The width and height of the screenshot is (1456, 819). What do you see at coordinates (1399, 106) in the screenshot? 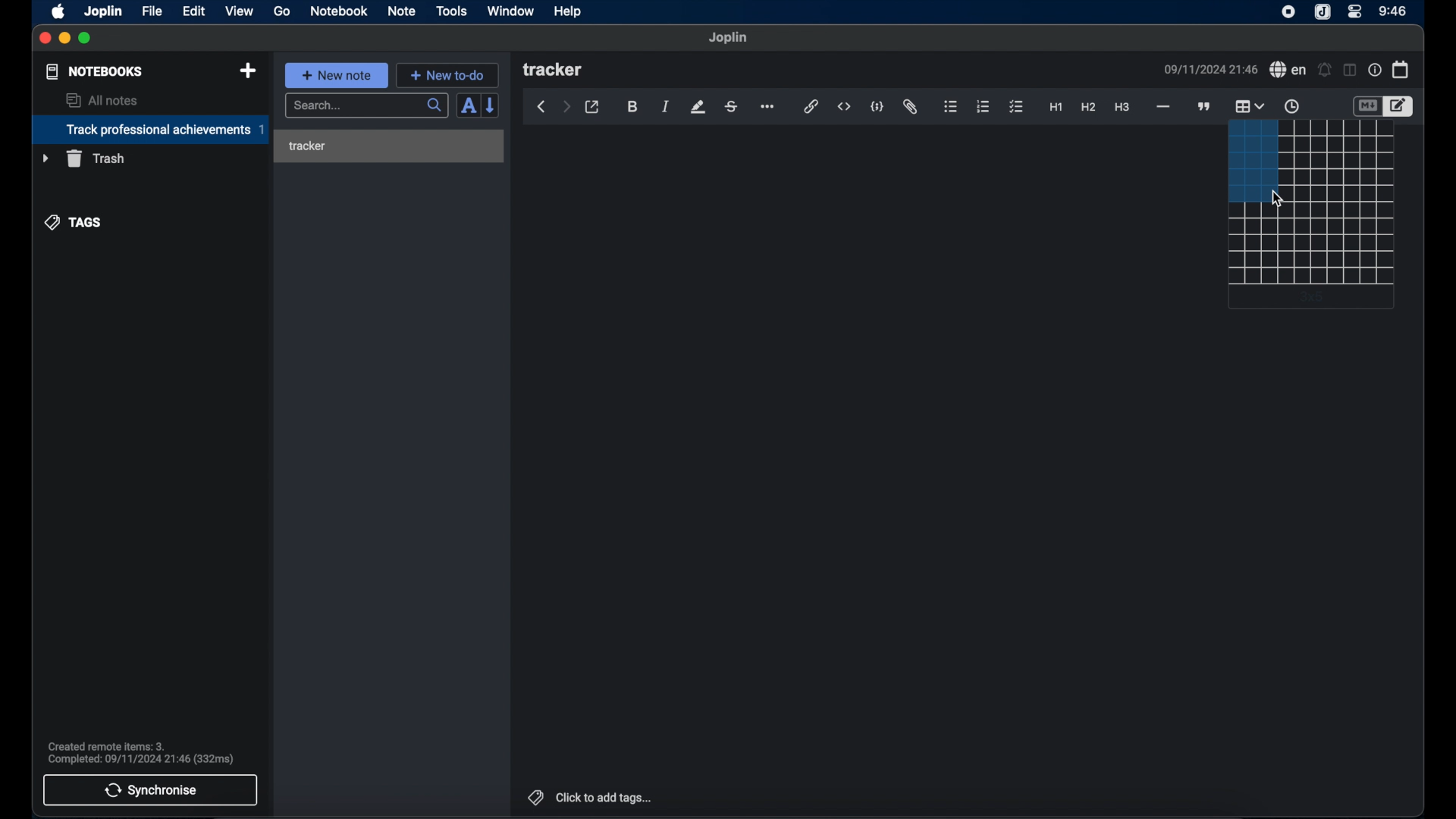
I see `toggle editor` at bounding box center [1399, 106].